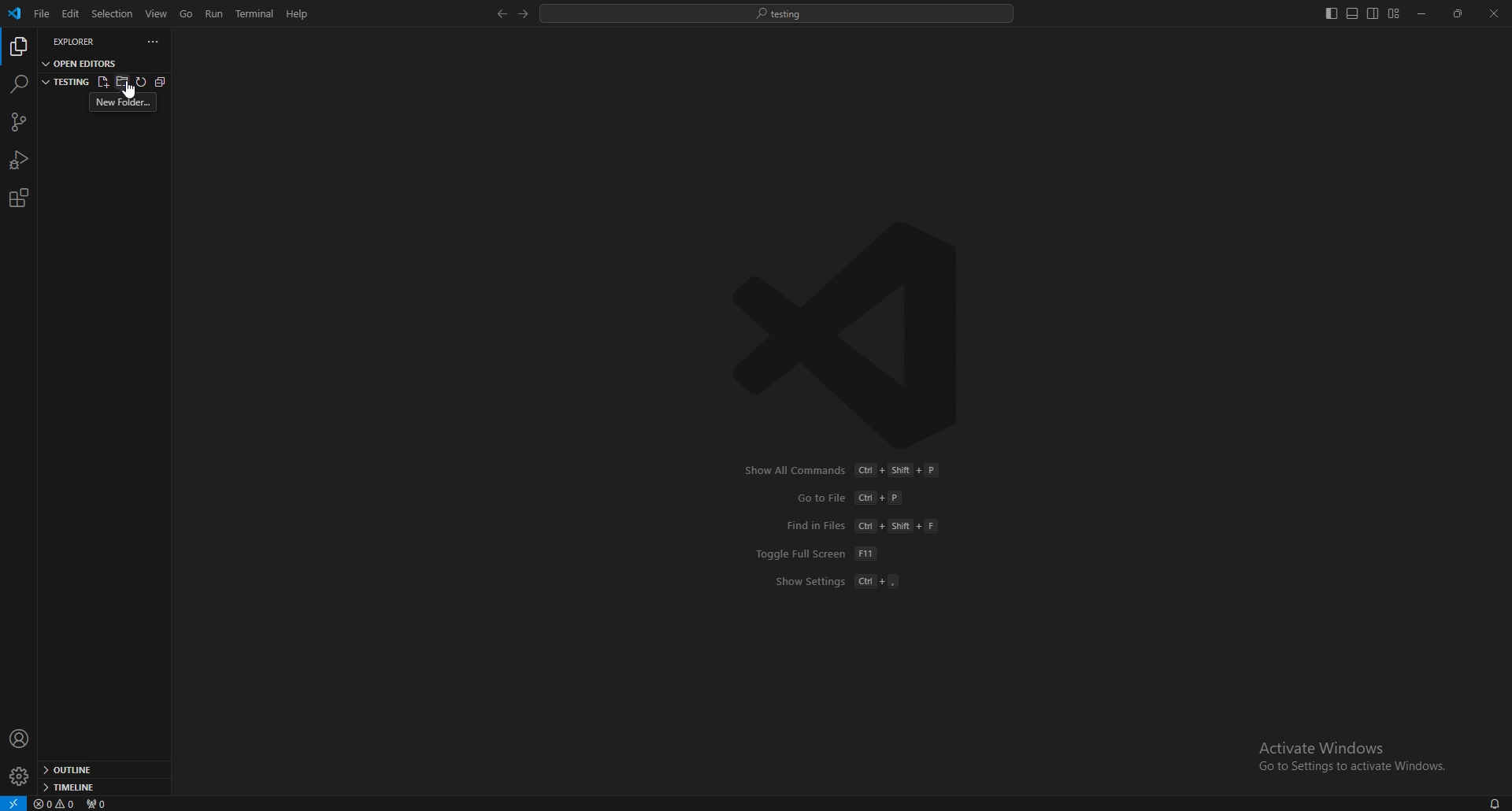 The height and width of the screenshot is (811, 1512). Describe the element at coordinates (777, 13) in the screenshot. I see `search bar` at that location.